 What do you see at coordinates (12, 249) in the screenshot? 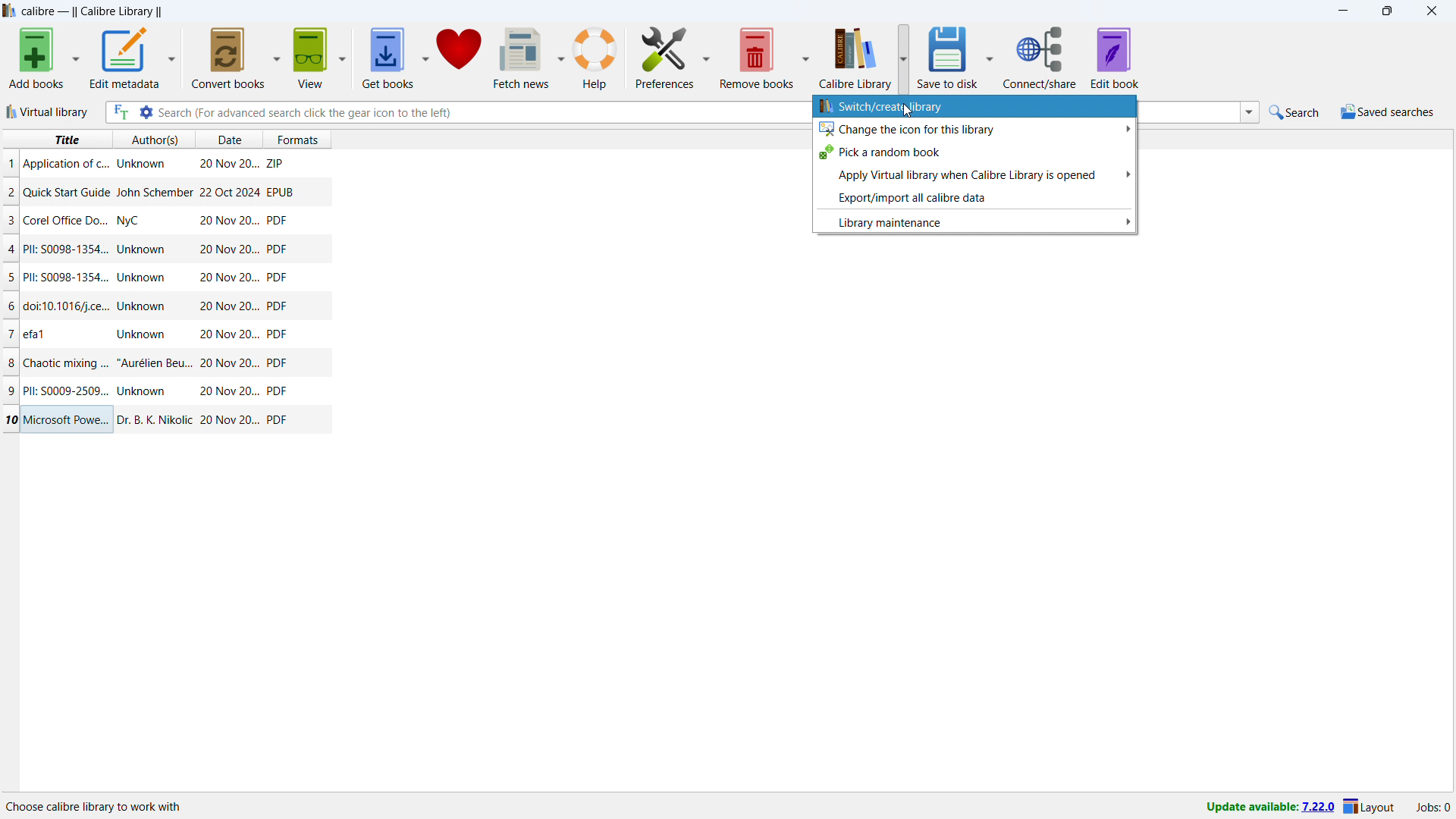
I see `4` at bounding box center [12, 249].